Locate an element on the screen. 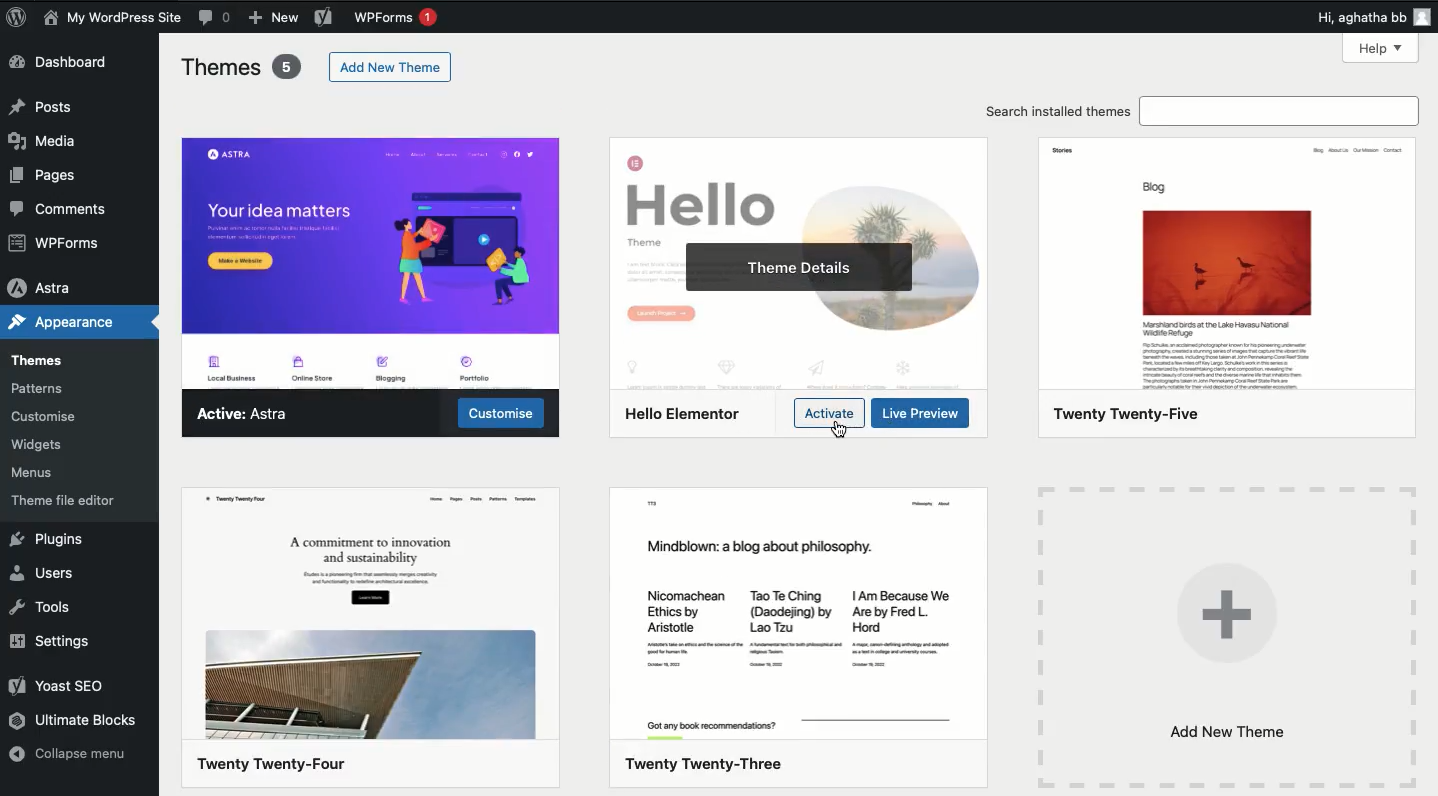 The image size is (1438, 796). Media is located at coordinates (44, 141).